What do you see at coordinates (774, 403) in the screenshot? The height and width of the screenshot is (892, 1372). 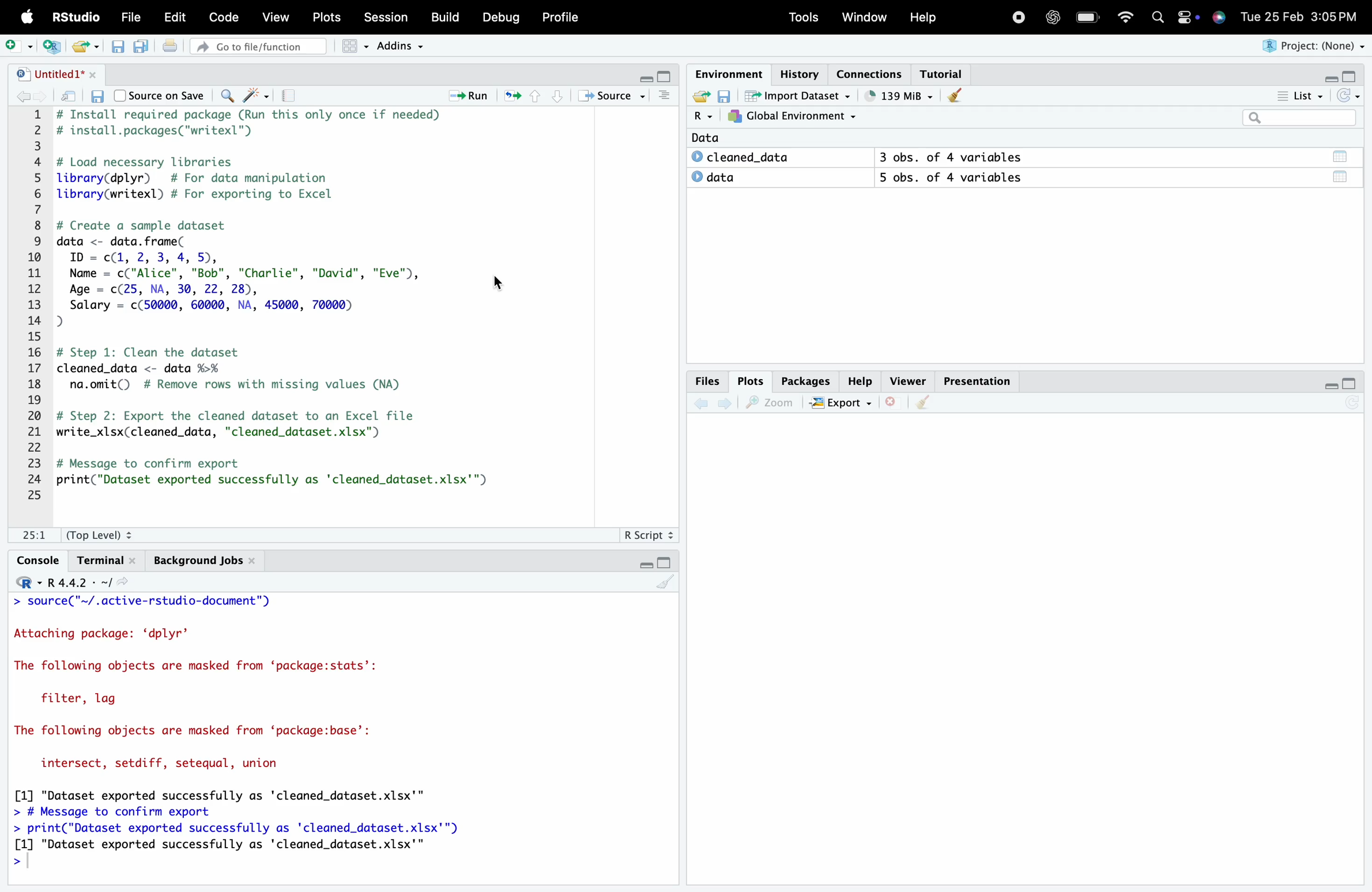 I see `Zoom` at bounding box center [774, 403].